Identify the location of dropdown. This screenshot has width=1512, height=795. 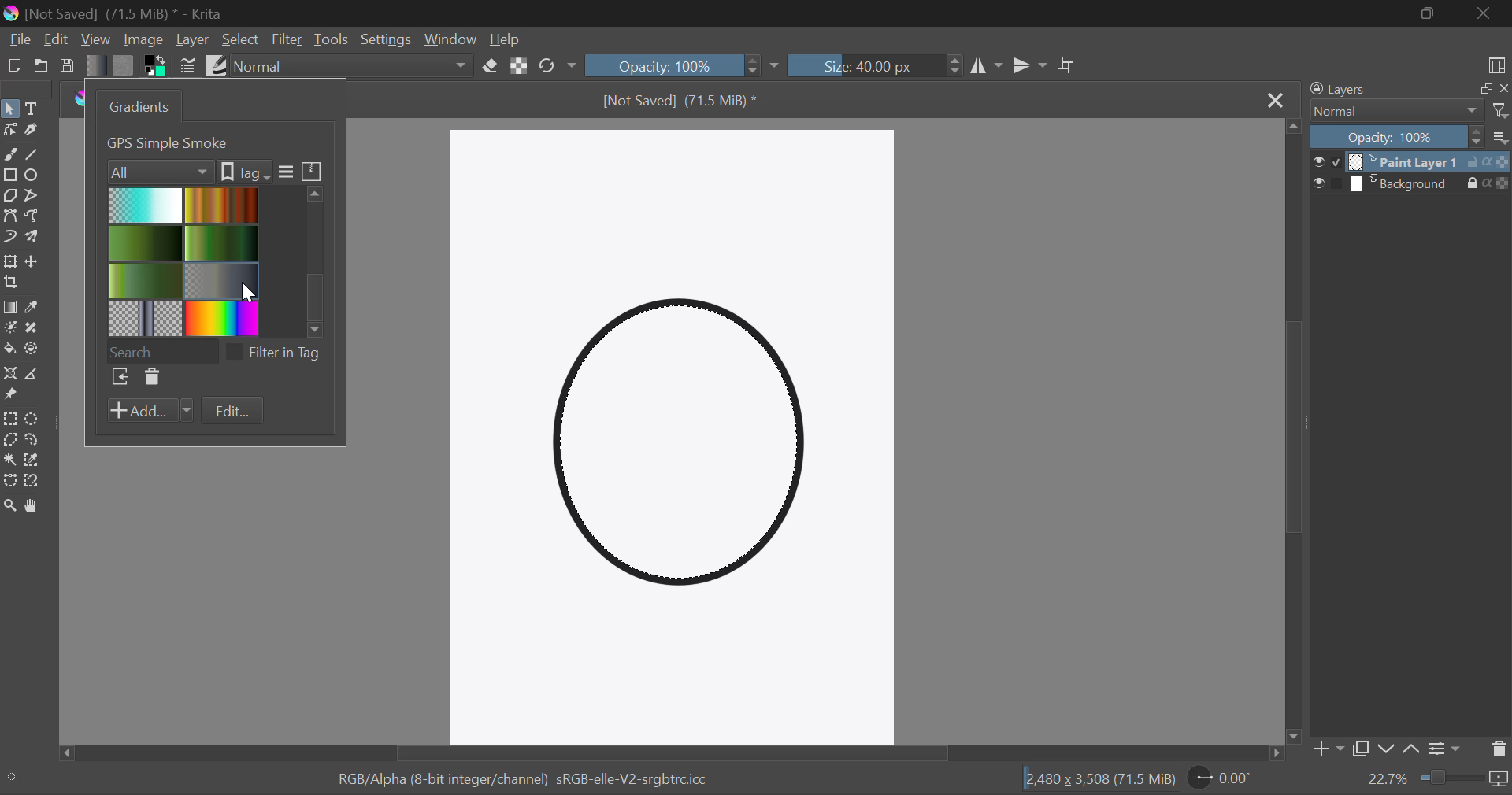
(776, 67).